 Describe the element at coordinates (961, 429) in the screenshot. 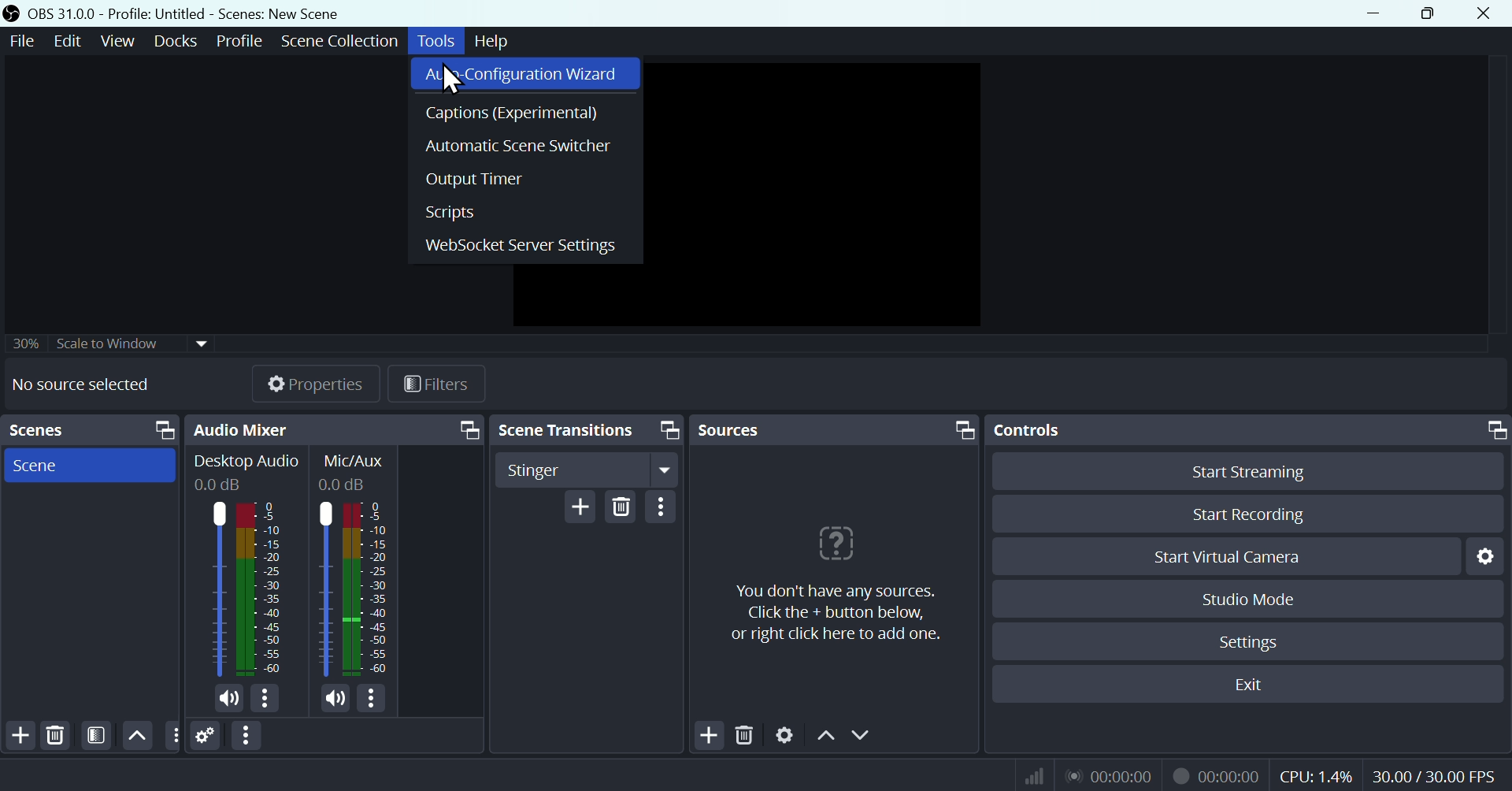

I see `screen resize` at that location.